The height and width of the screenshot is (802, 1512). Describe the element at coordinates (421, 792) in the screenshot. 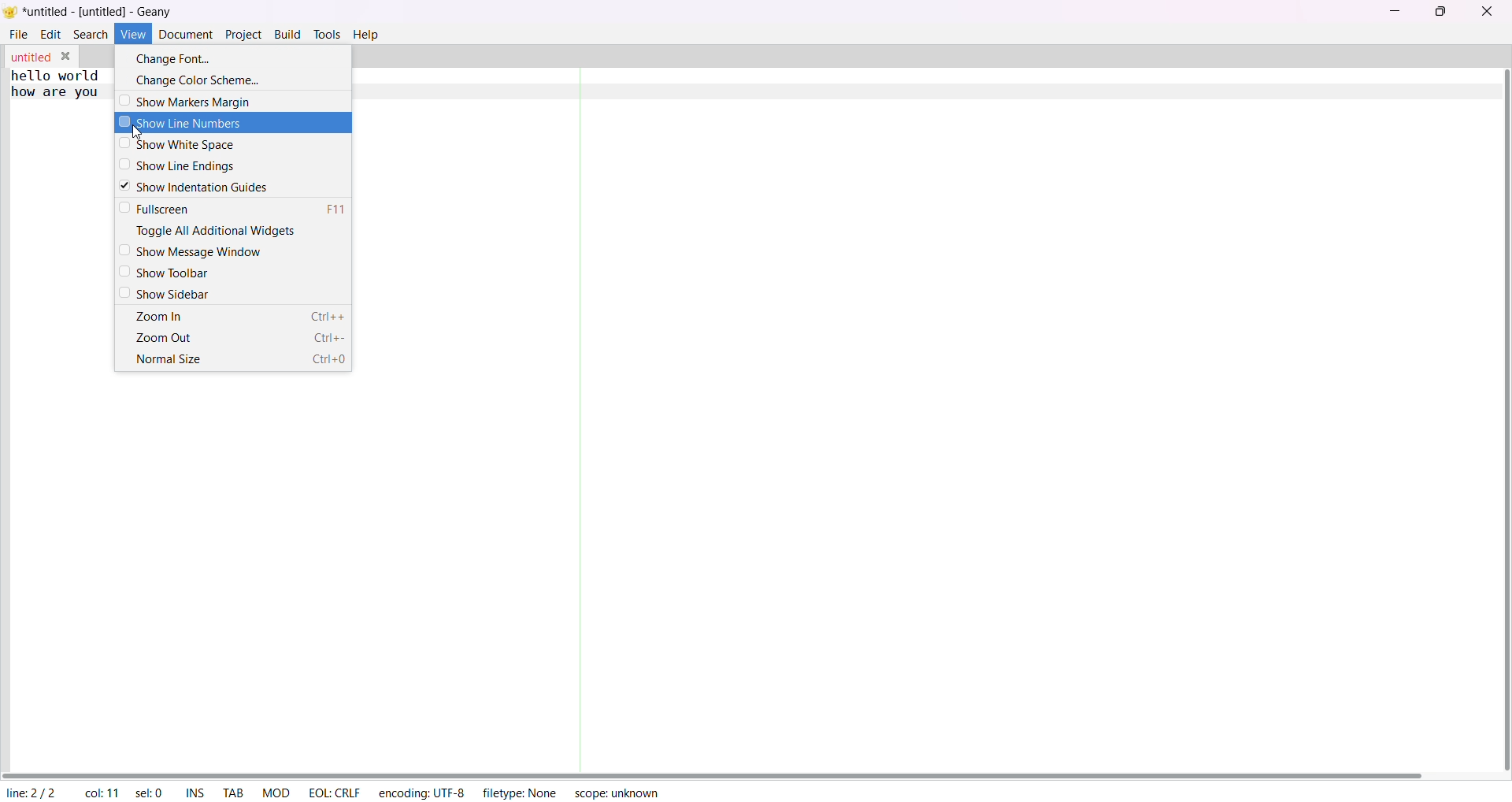

I see `encoding` at that location.